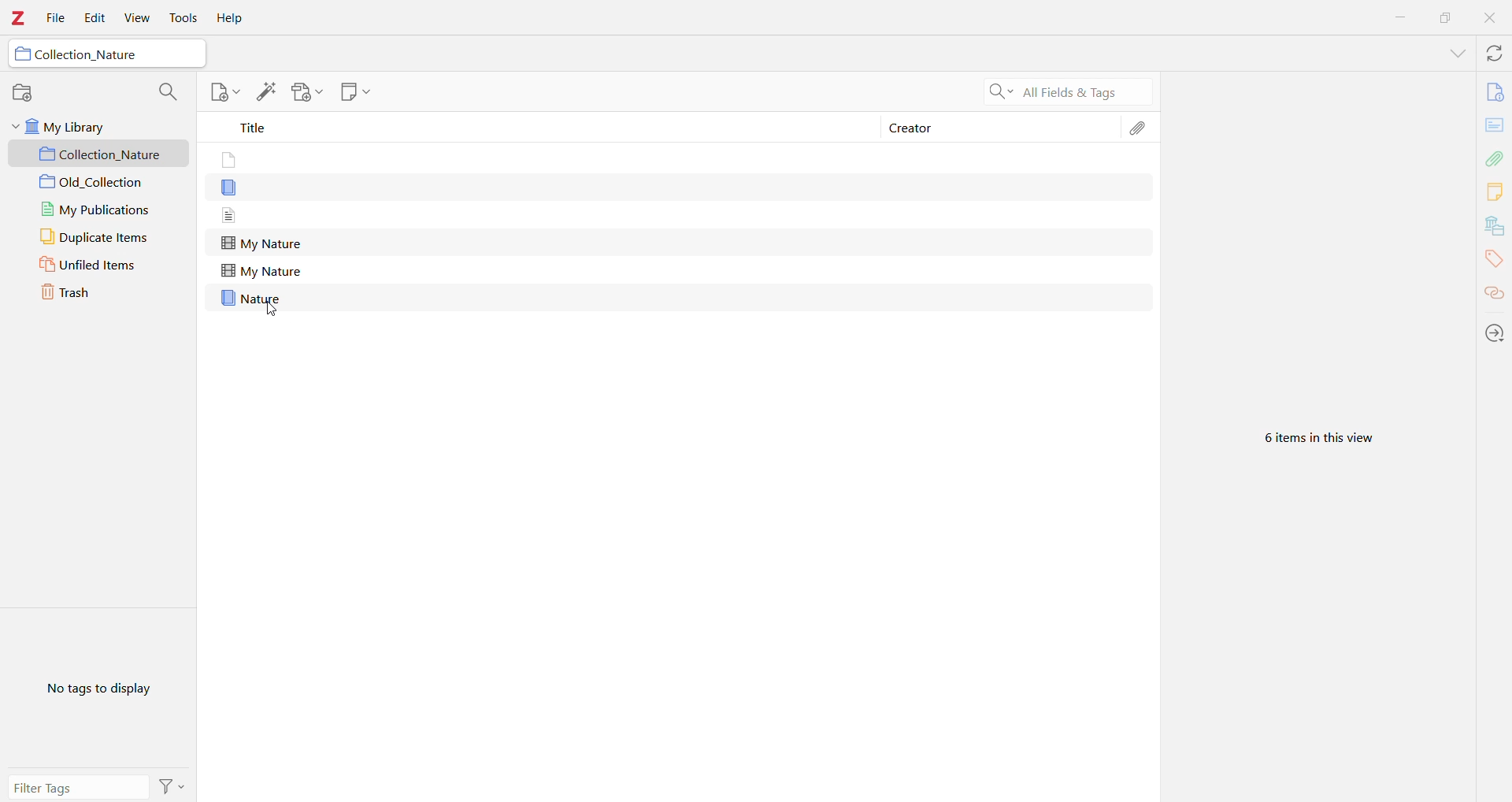 This screenshot has height=802, width=1512. What do you see at coordinates (172, 786) in the screenshot?
I see `Actions` at bounding box center [172, 786].